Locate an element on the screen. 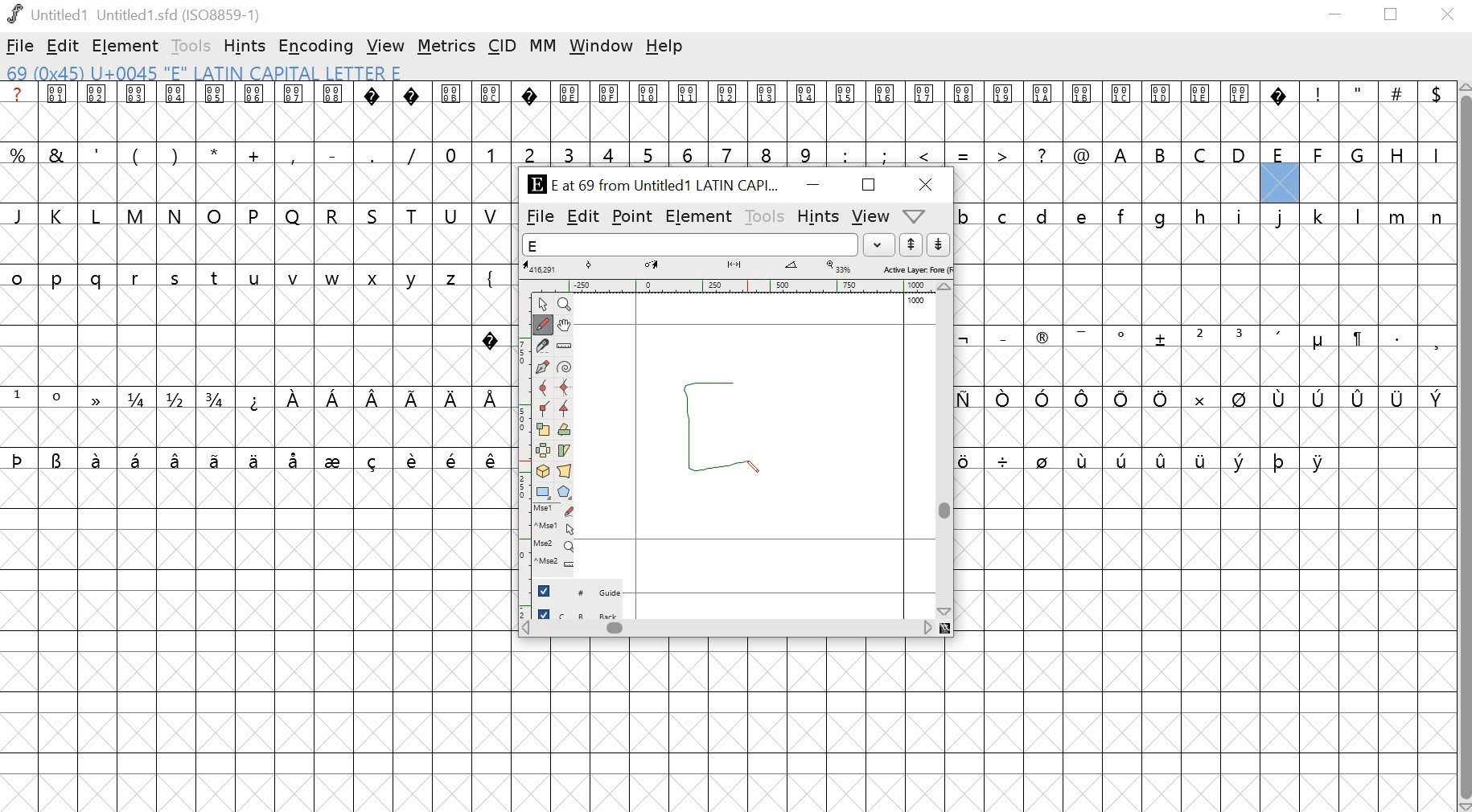 This screenshot has height=812, width=1472. vertical scrollbar is located at coordinates (1468, 445).